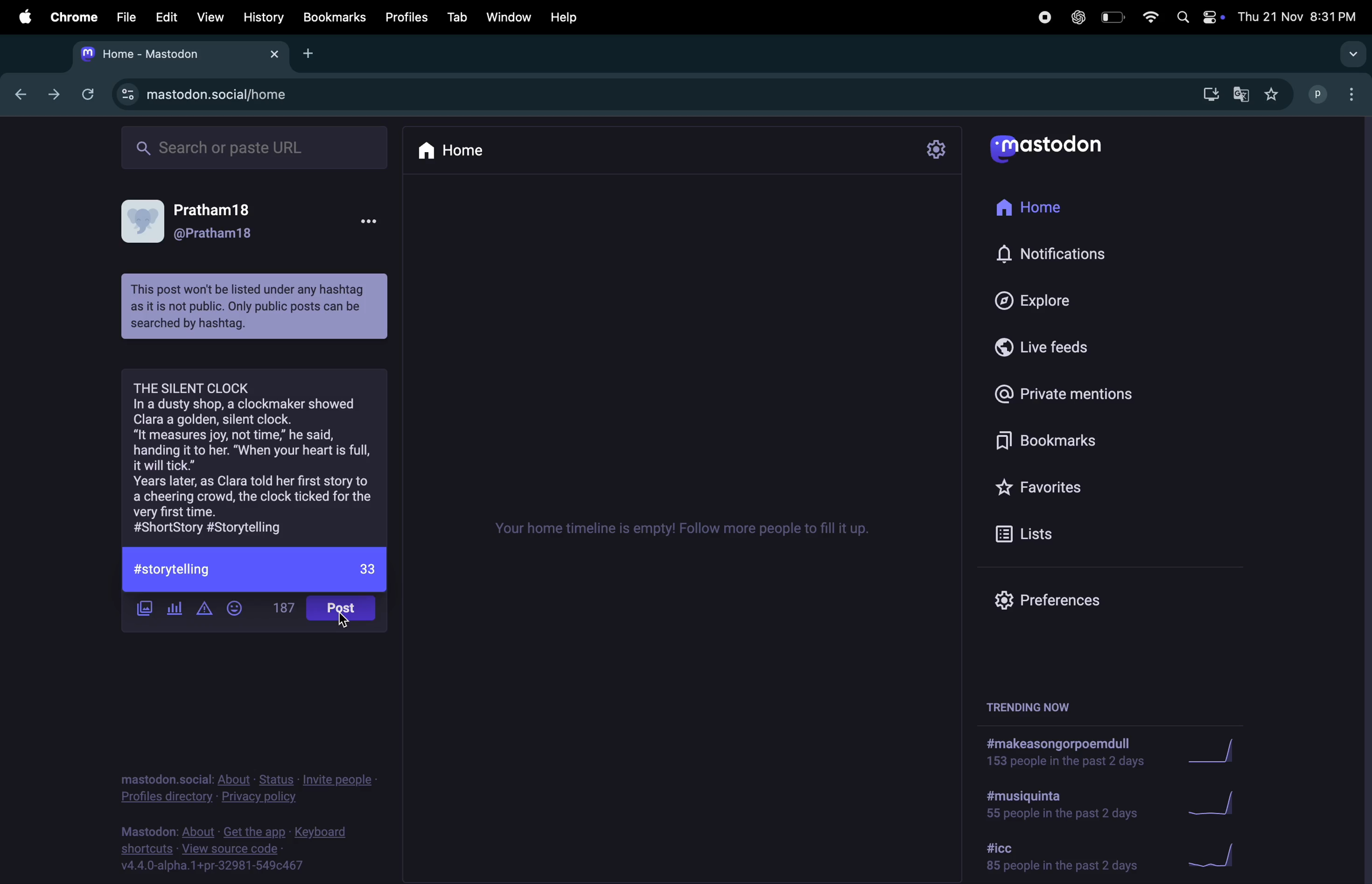 This screenshot has width=1372, height=884. What do you see at coordinates (1113, 18) in the screenshot?
I see `battery` at bounding box center [1113, 18].